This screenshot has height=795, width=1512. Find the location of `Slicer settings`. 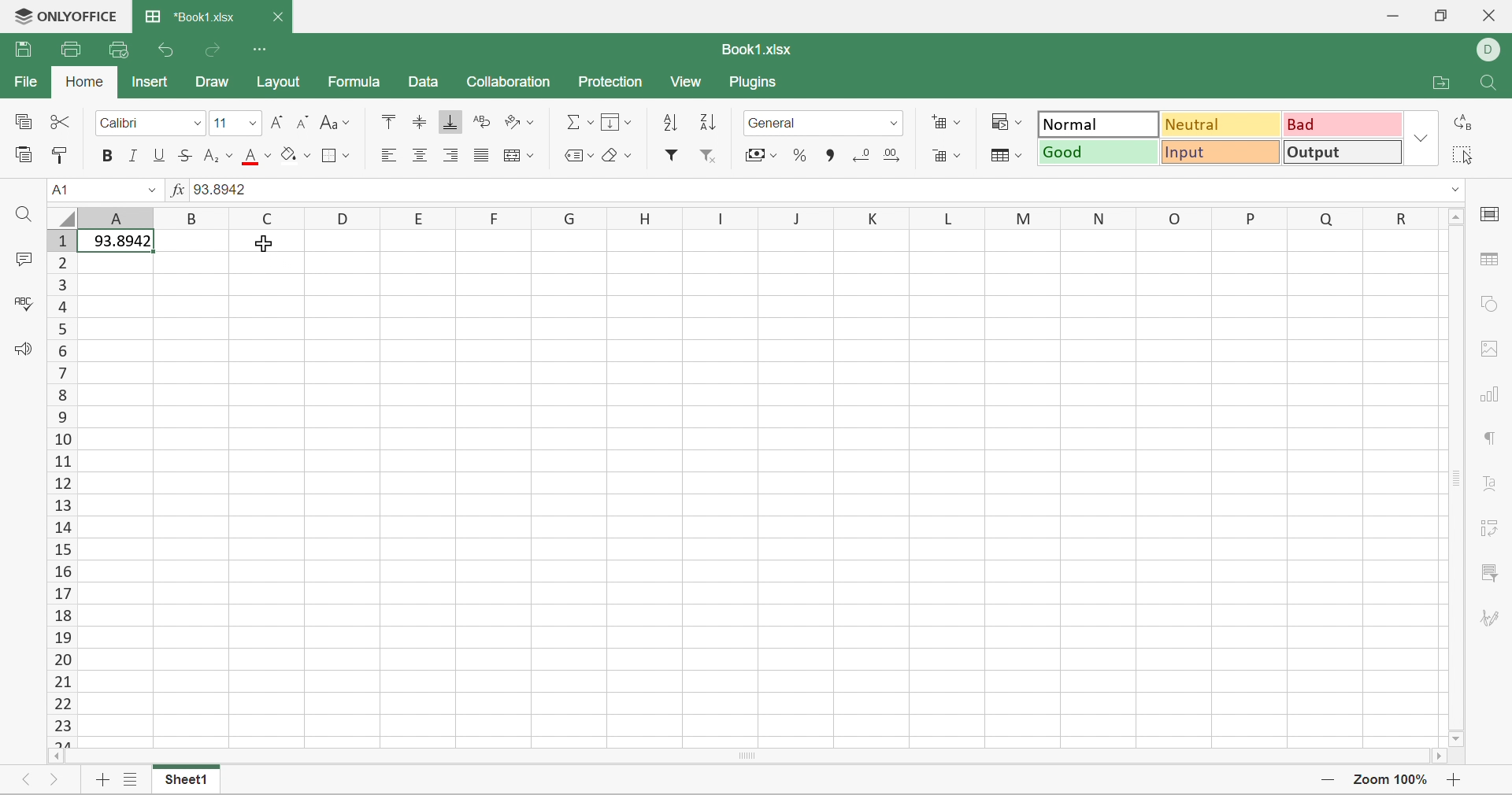

Slicer settings is located at coordinates (1488, 571).